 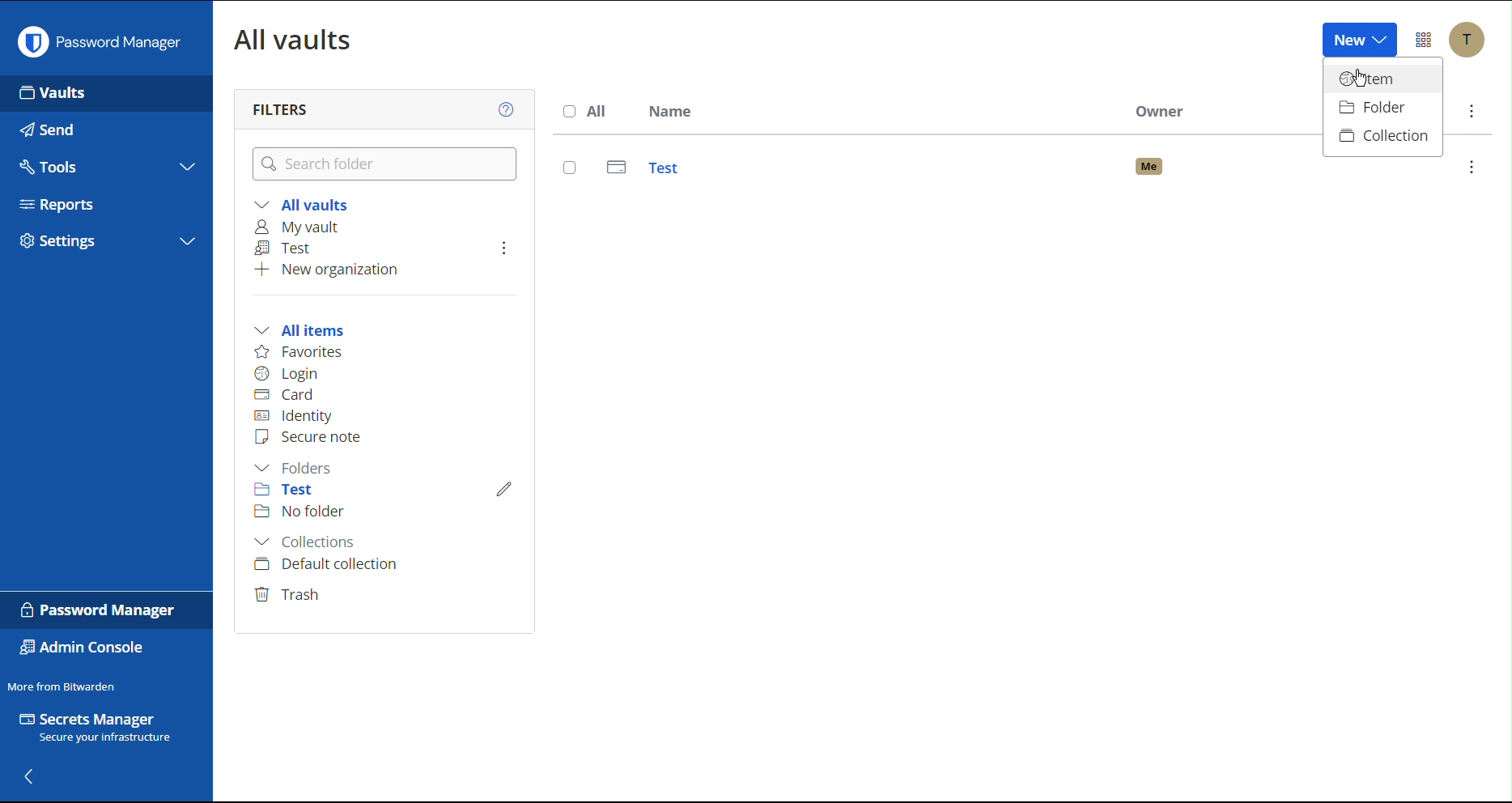 What do you see at coordinates (1024, 170) in the screenshot?
I see `Test` at bounding box center [1024, 170].